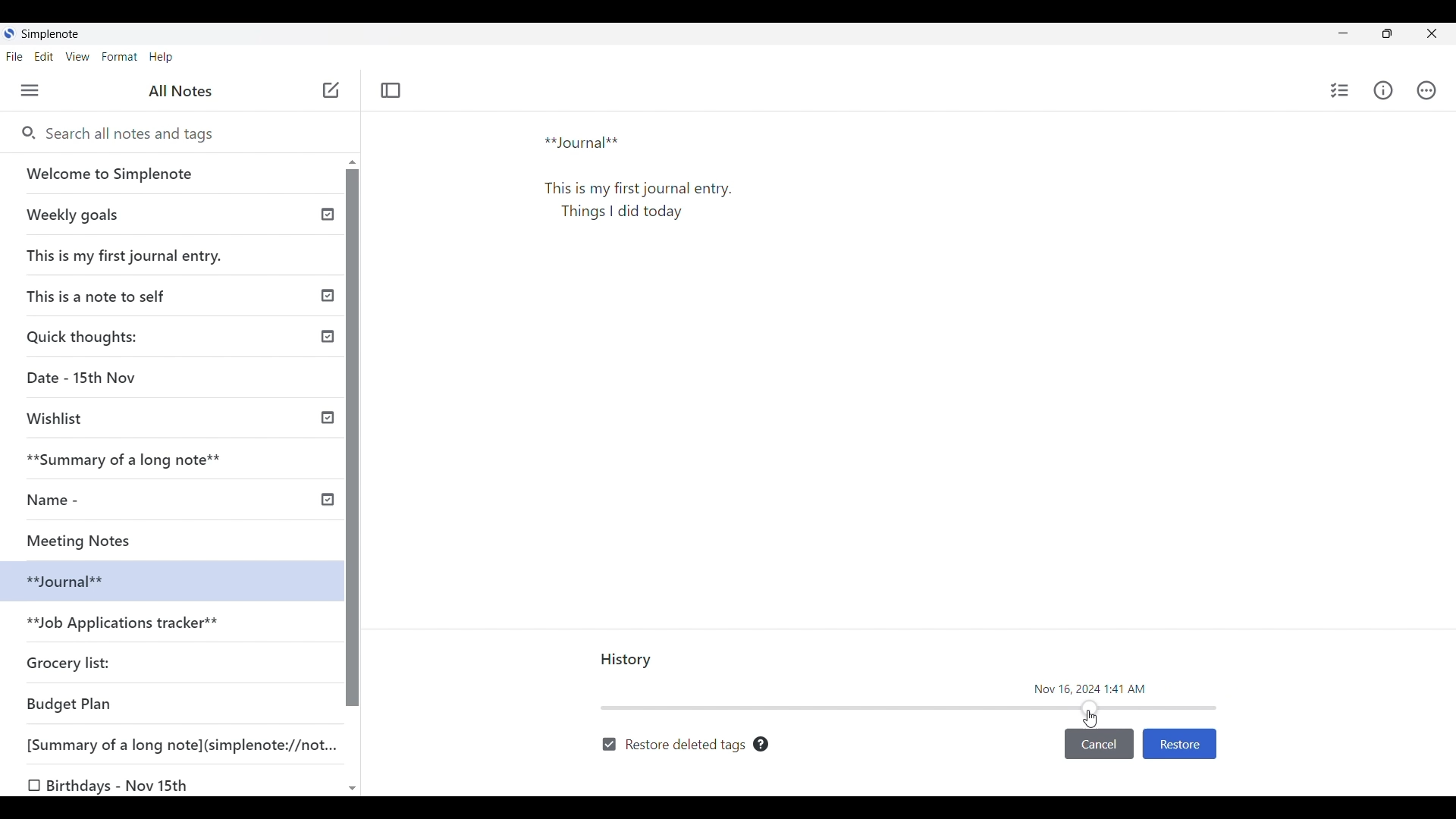 This screenshot has height=819, width=1456. I want to click on Journal, so click(644, 199).